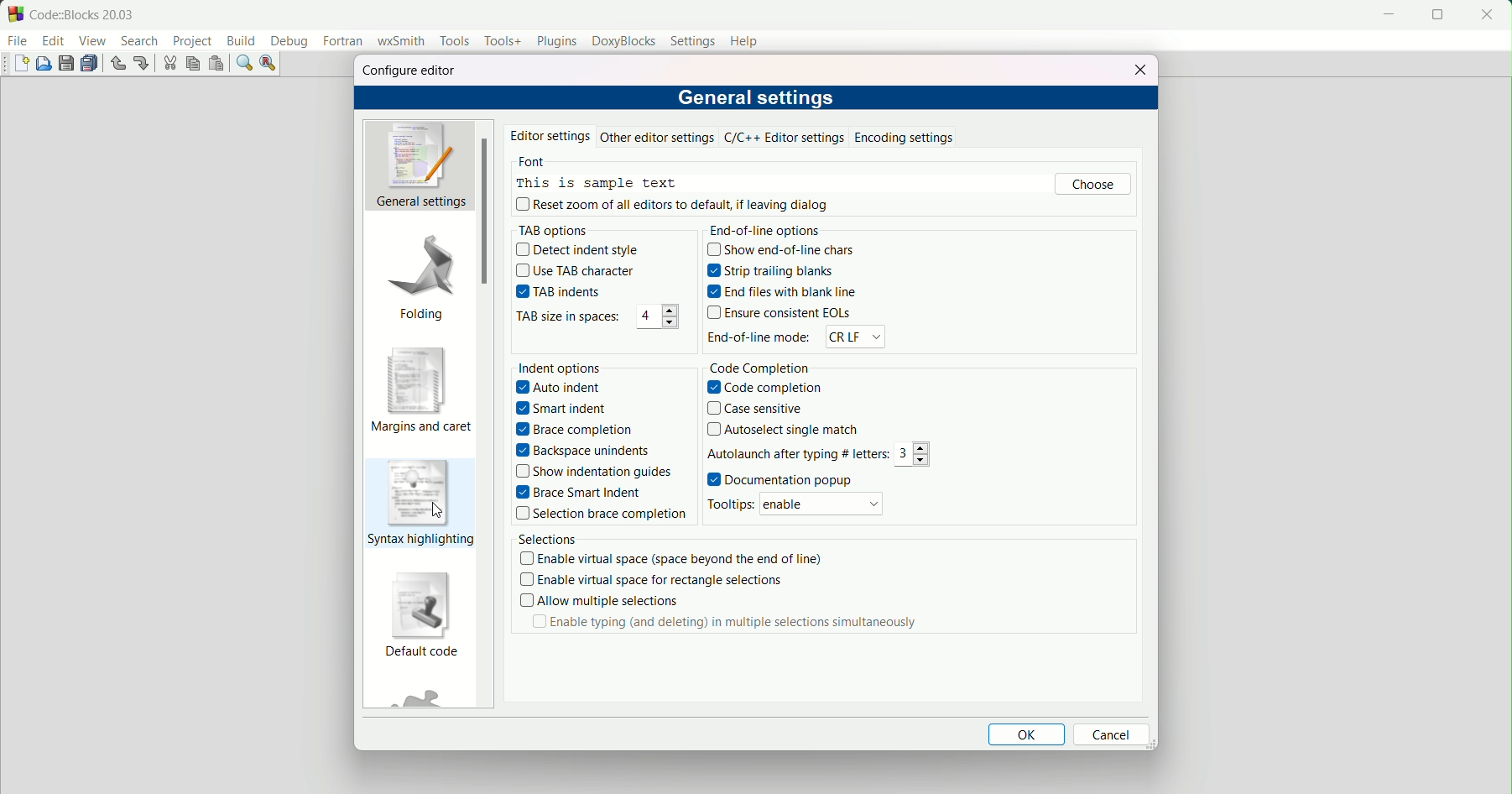 The width and height of the screenshot is (1512, 794). Describe the element at coordinates (595, 174) in the screenshot. I see `text` at that location.